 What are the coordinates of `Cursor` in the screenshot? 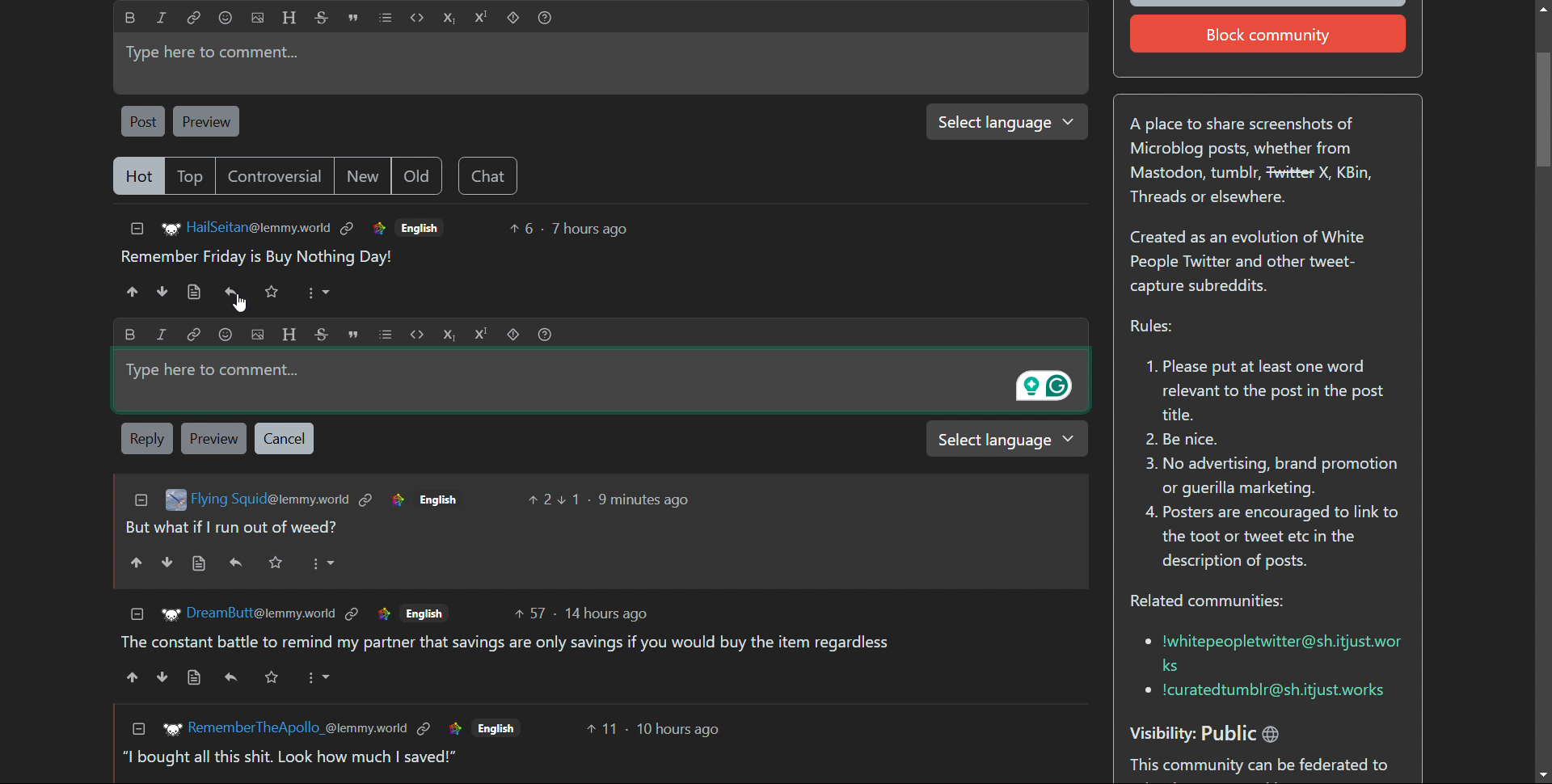 It's located at (231, 301).